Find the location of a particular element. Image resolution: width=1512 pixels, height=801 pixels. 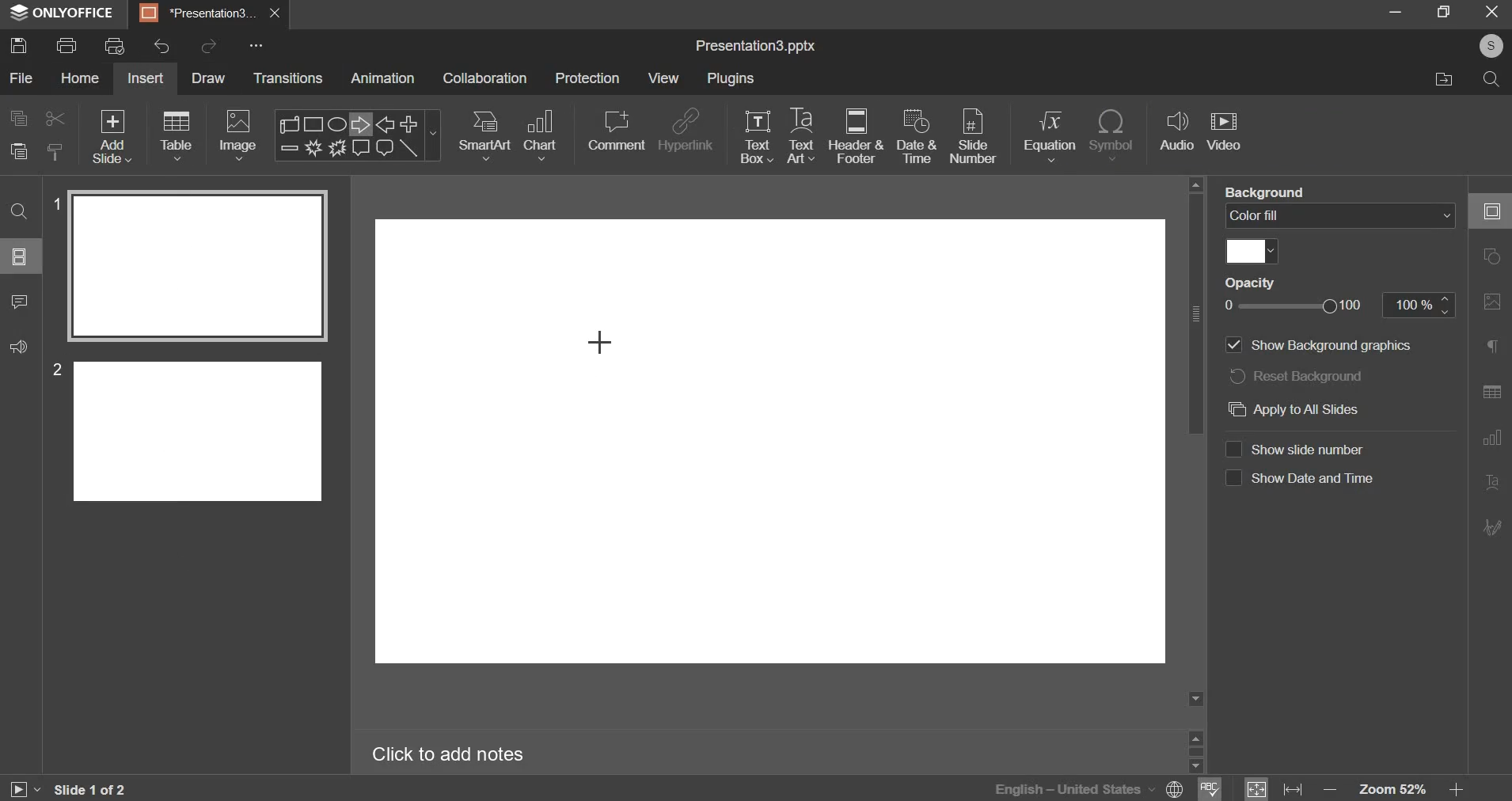

left arrow is located at coordinates (385, 124).